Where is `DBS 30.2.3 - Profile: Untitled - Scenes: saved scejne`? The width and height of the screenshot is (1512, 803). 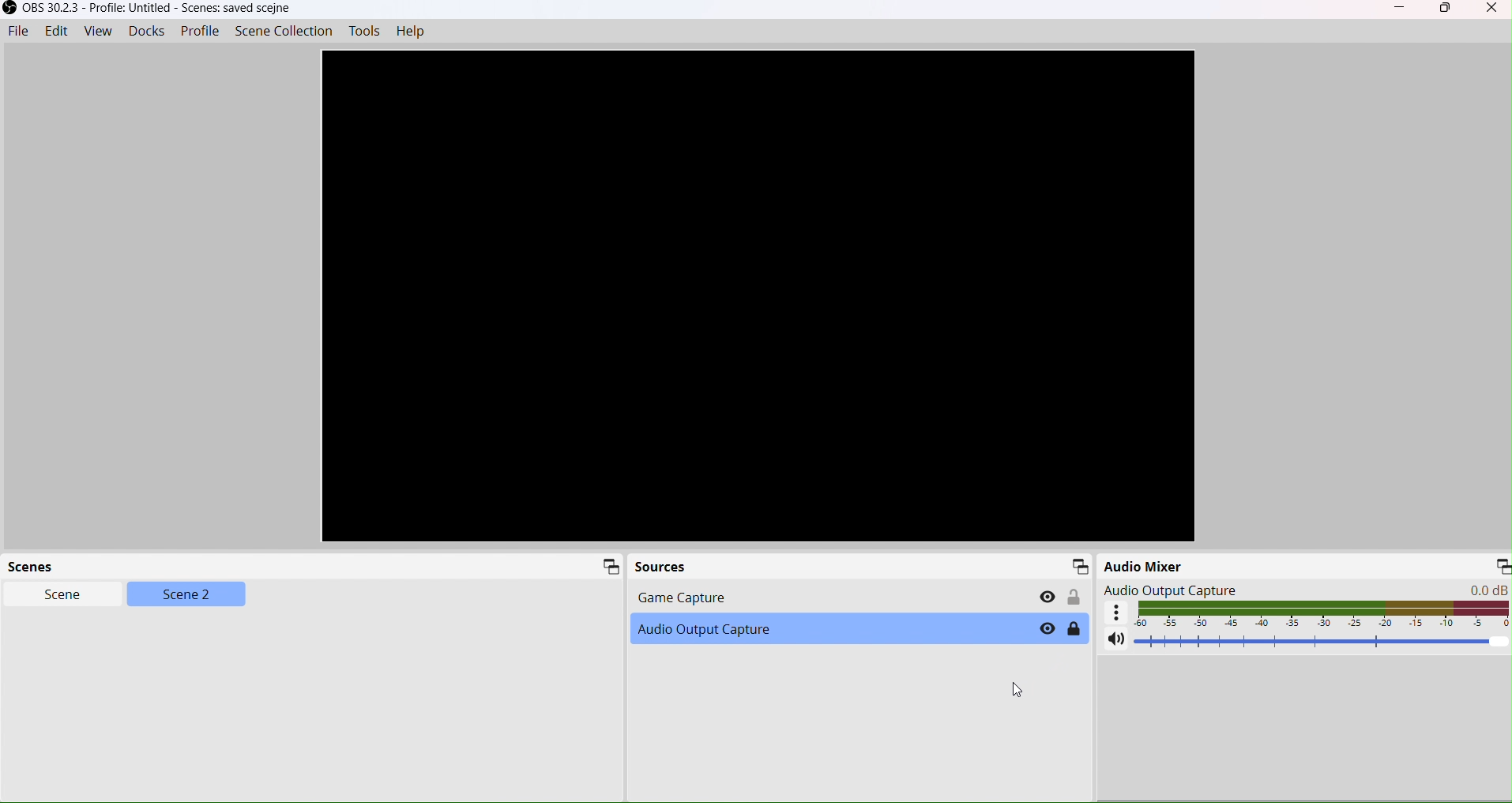
DBS 30.2.3 - Profile: Untitled - Scenes: saved scejne is located at coordinates (149, 9).